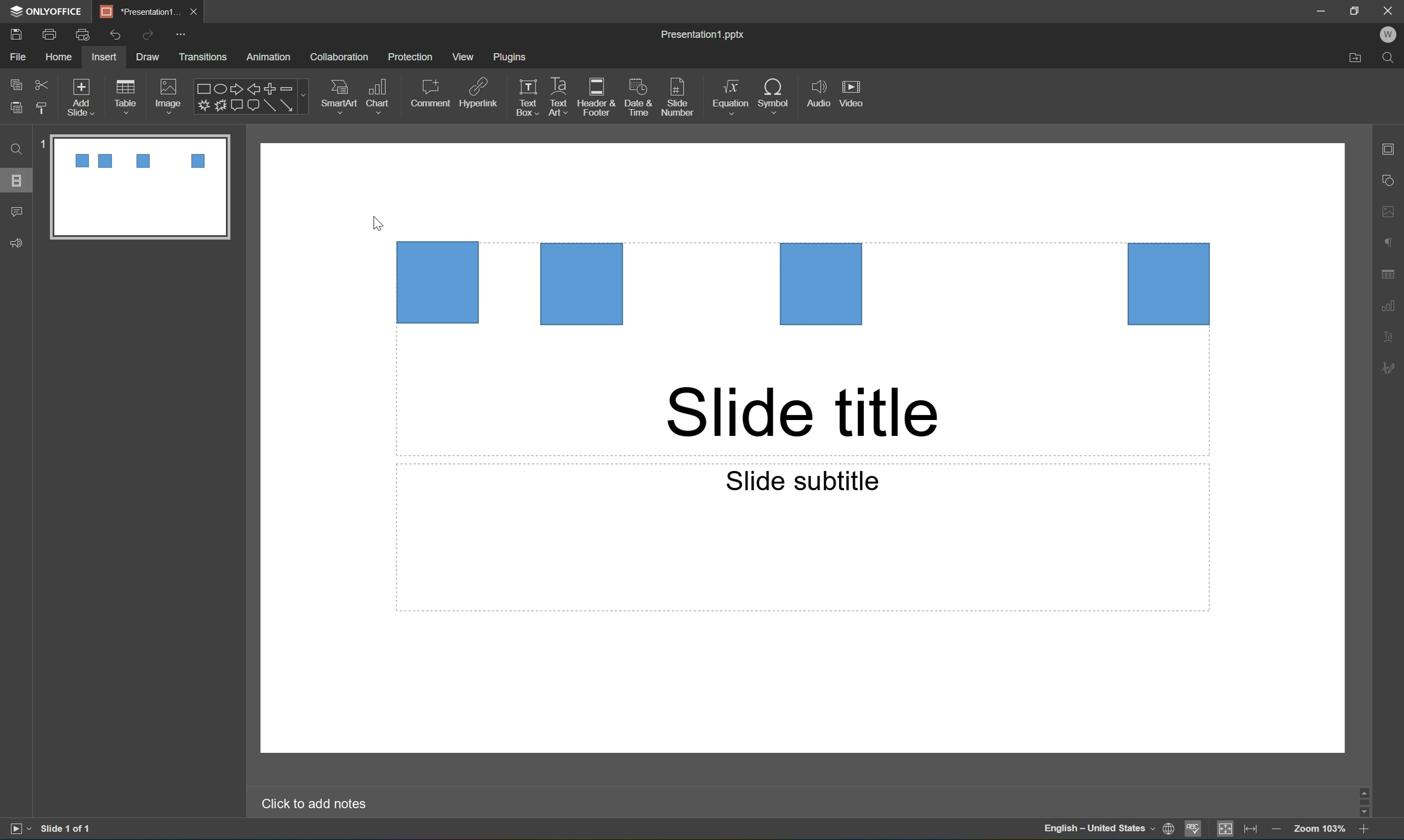 This screenshot has height=840, width=1404. I want to click on slide 1, so click(132, 186).